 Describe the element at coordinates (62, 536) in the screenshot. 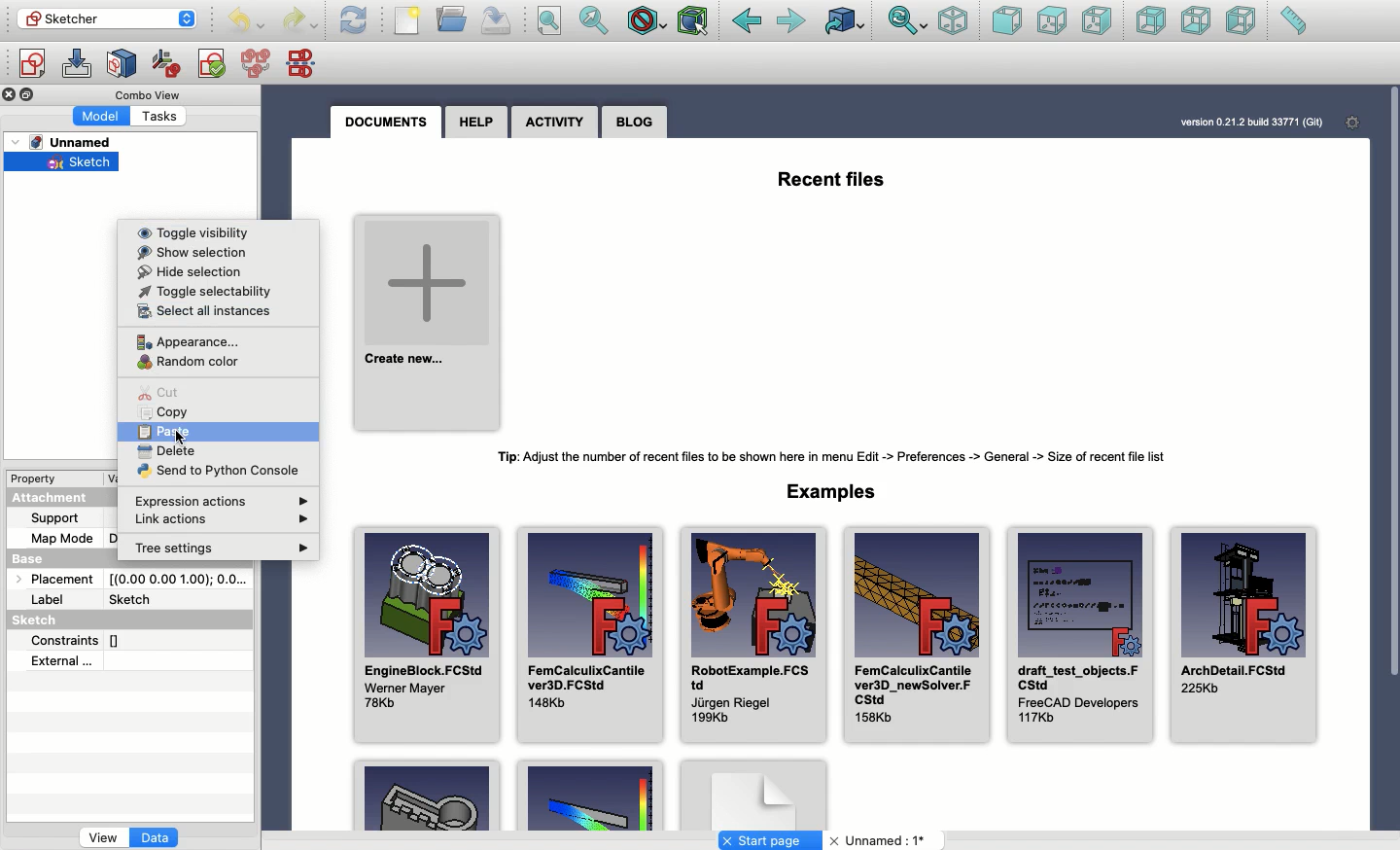

I see `Map mode` at that location.